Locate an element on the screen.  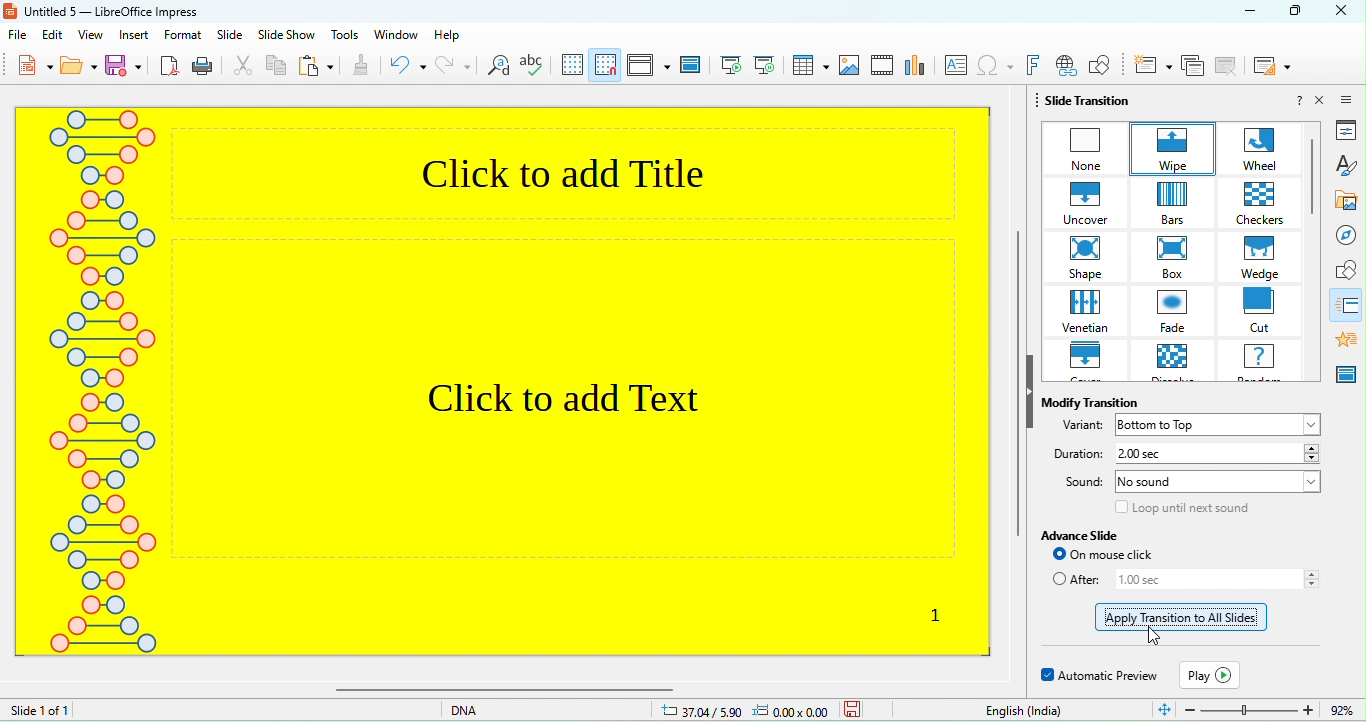
fontwork text  is located at coordinates (1032, 67).